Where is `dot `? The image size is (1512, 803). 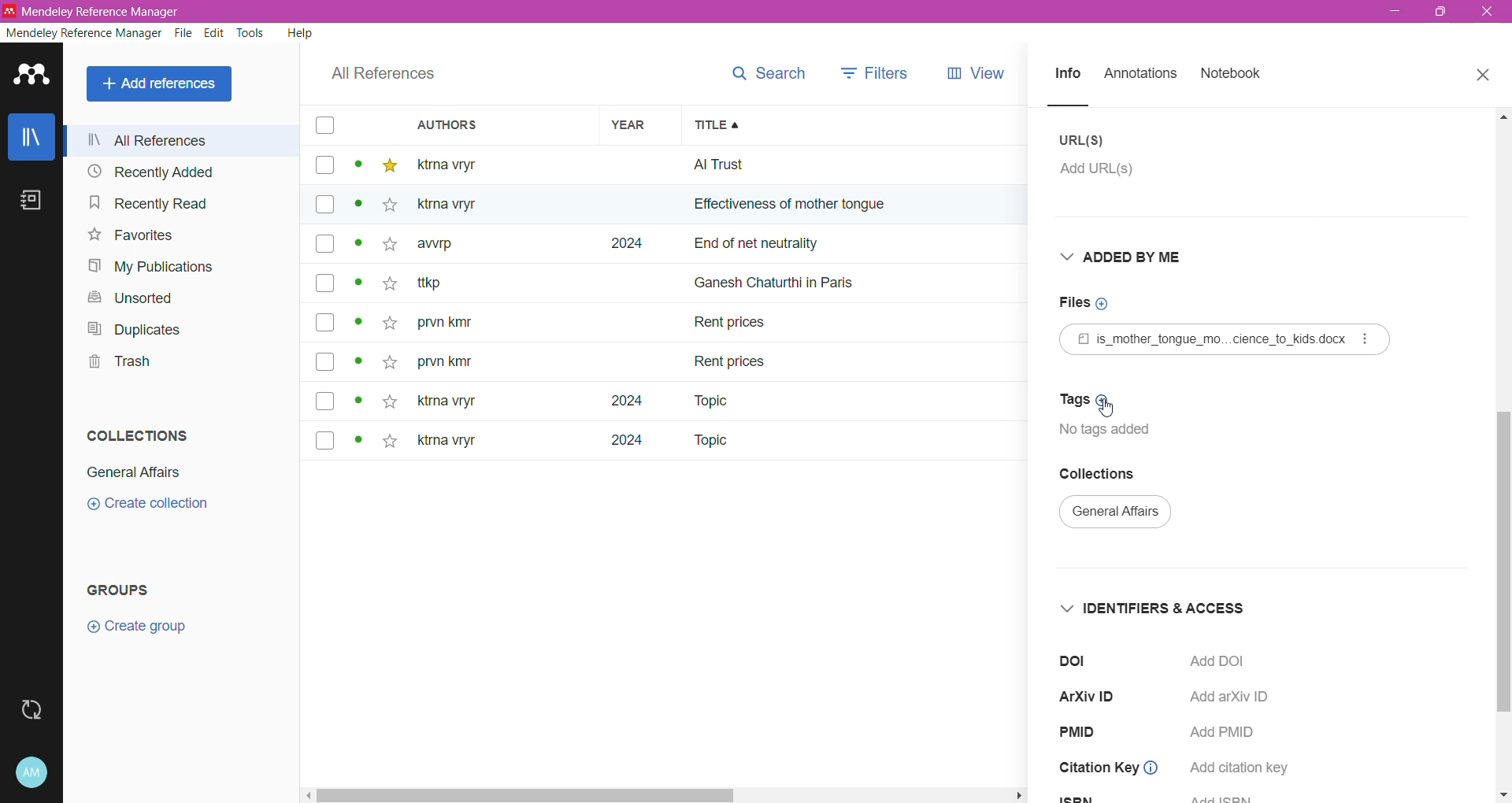 dot  is located at coordinates (357, 326).